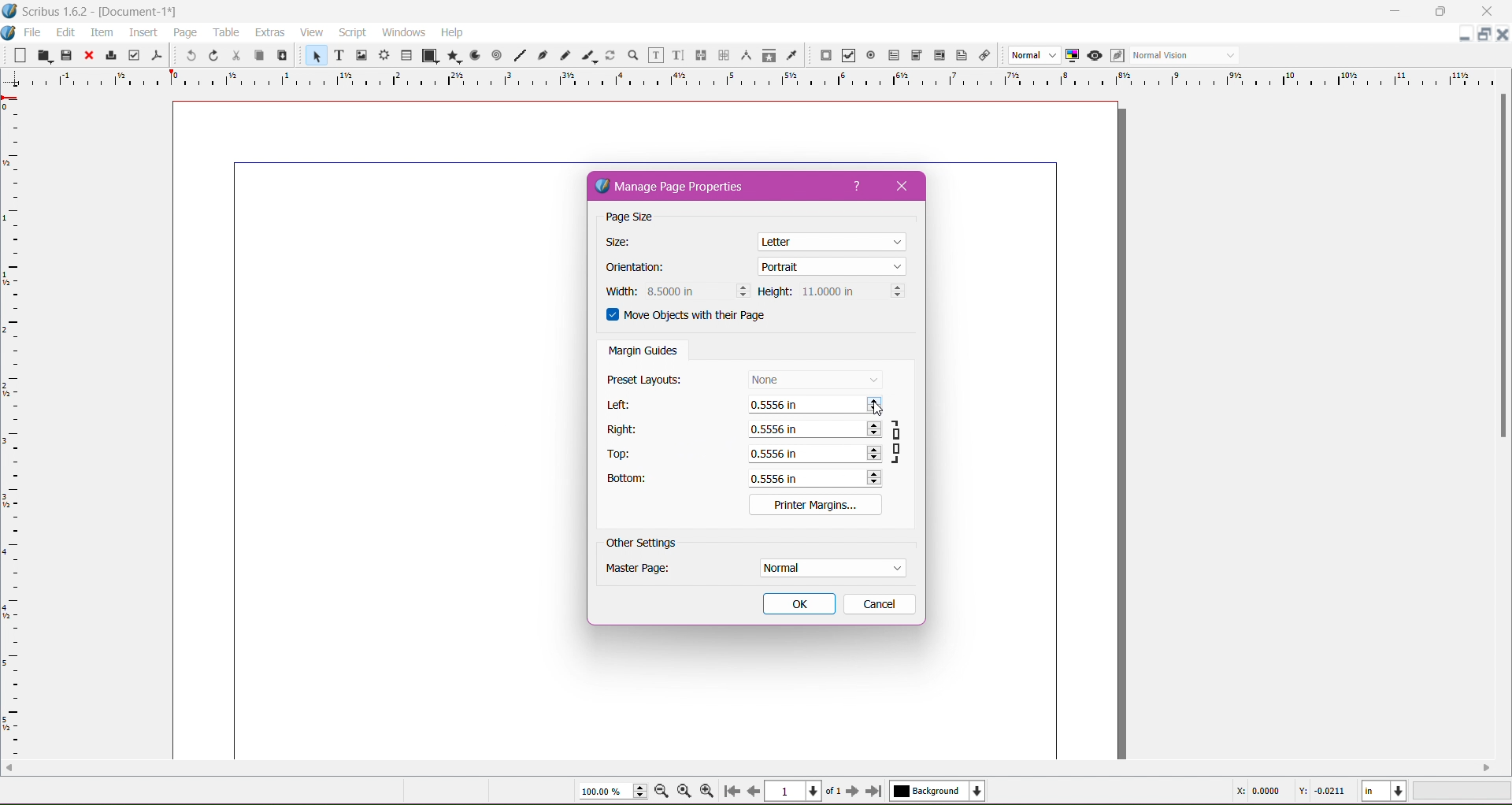 The height and width of the screenshot is (805, 1512). Describe the element at coordinates (697, 291) in the screenshot. I see `Set Width of page` at that location.